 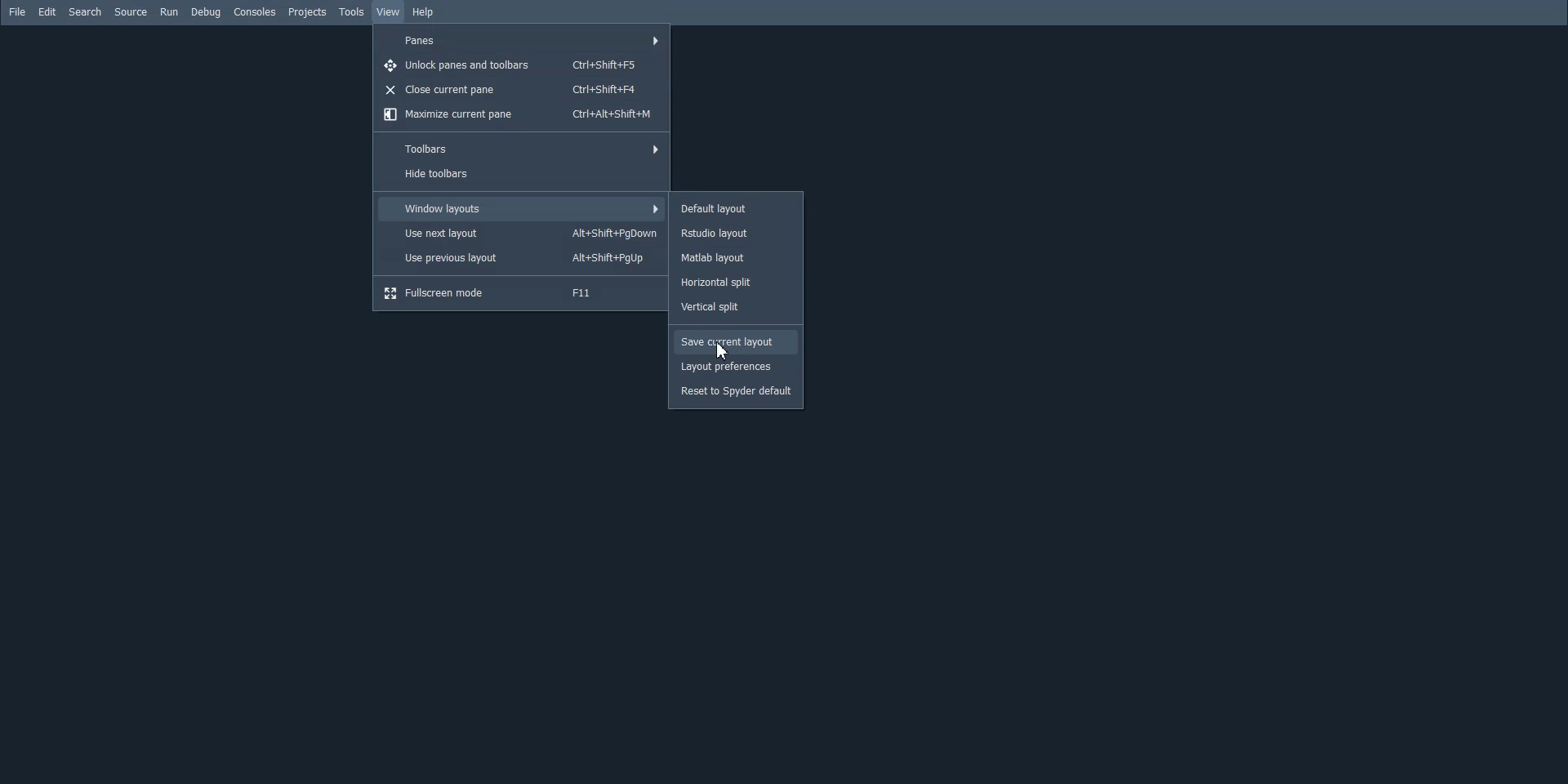 I want to click on Projects, so click(x=308, y=13).